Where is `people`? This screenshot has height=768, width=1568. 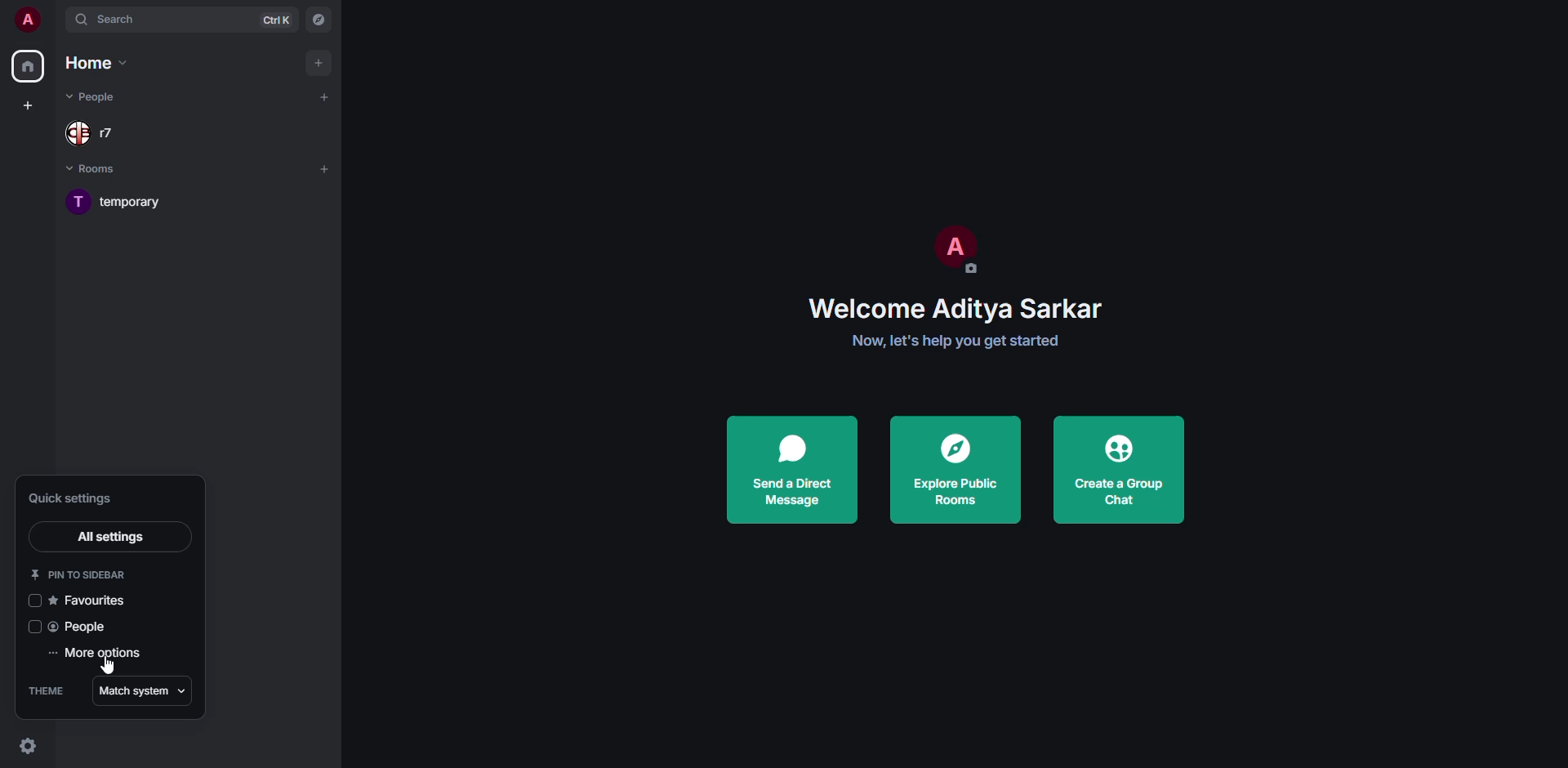 people is located at coordinates (81, 628).